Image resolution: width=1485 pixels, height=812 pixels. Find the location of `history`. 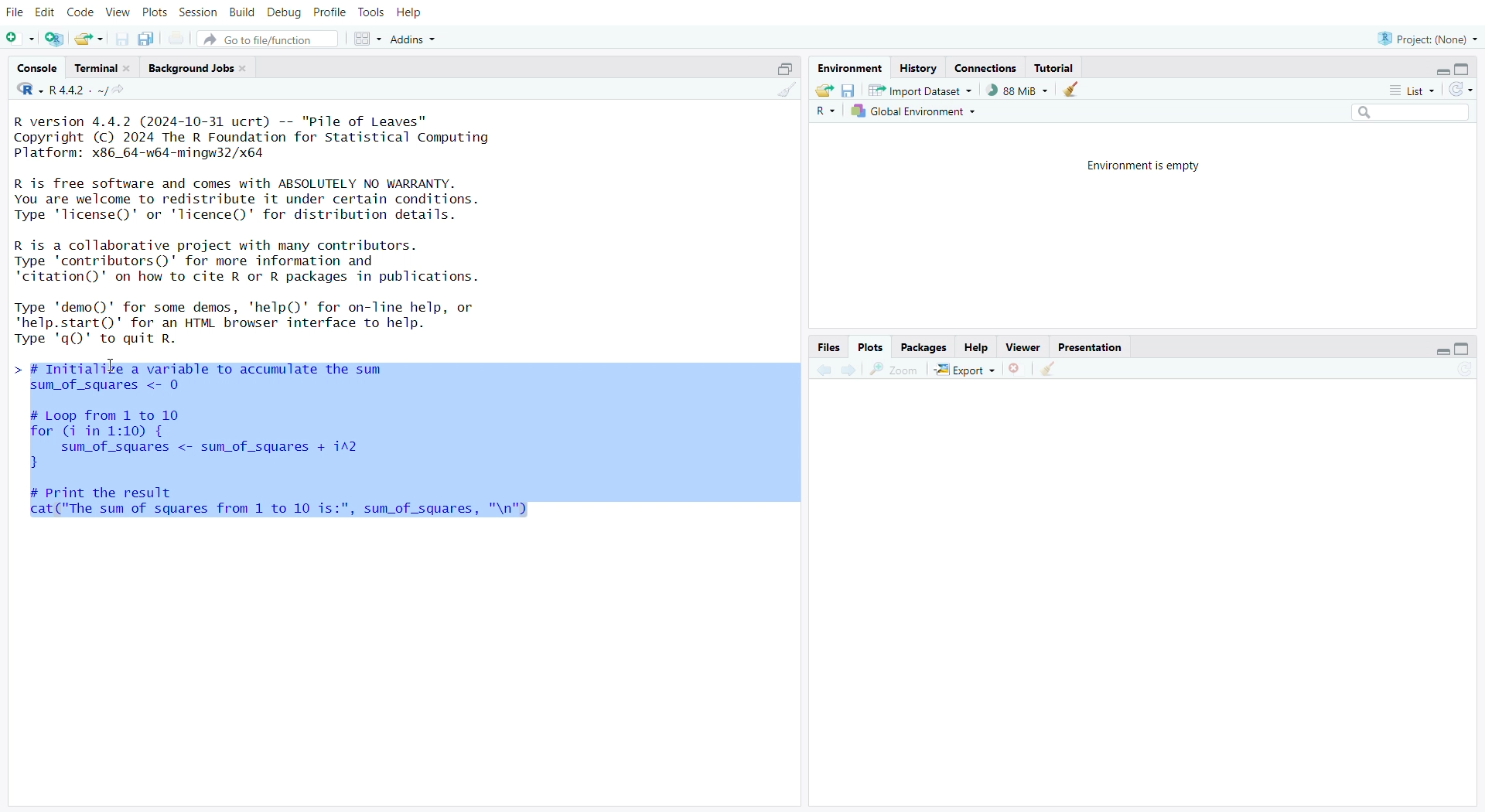

history is located at coordinates (920, 69).